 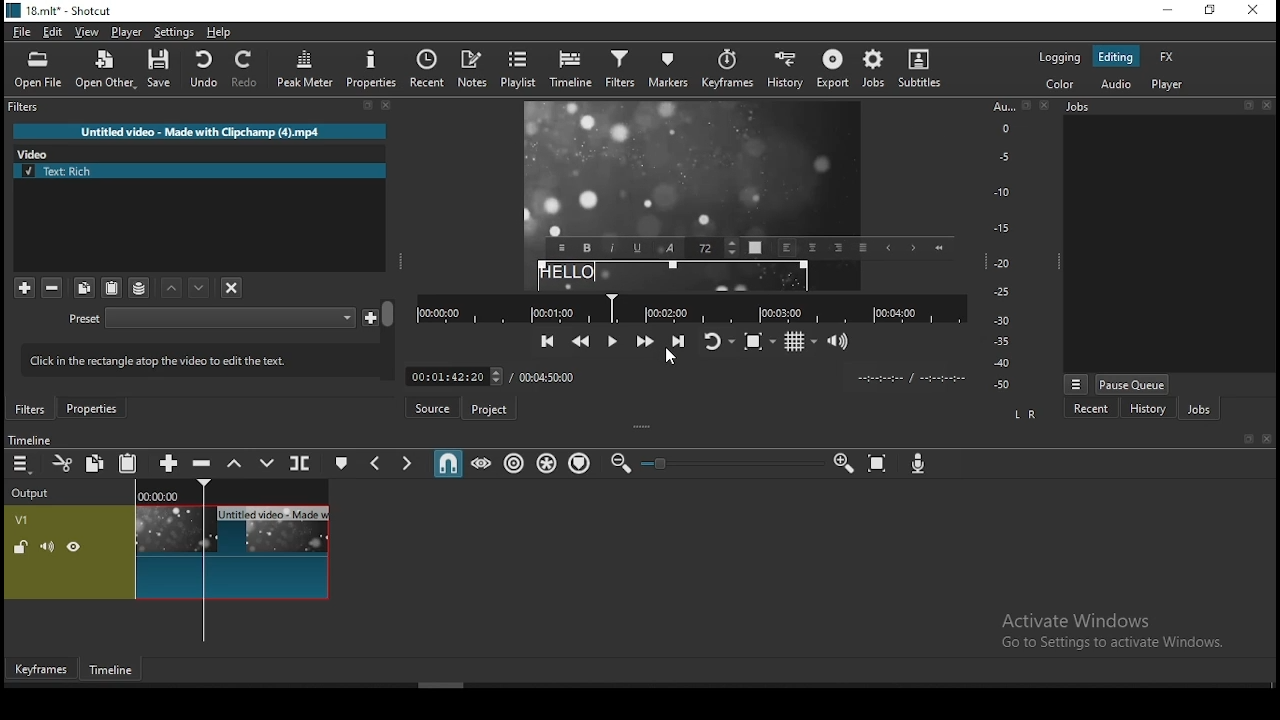 I want to click on save, so click(x=159, y=68).